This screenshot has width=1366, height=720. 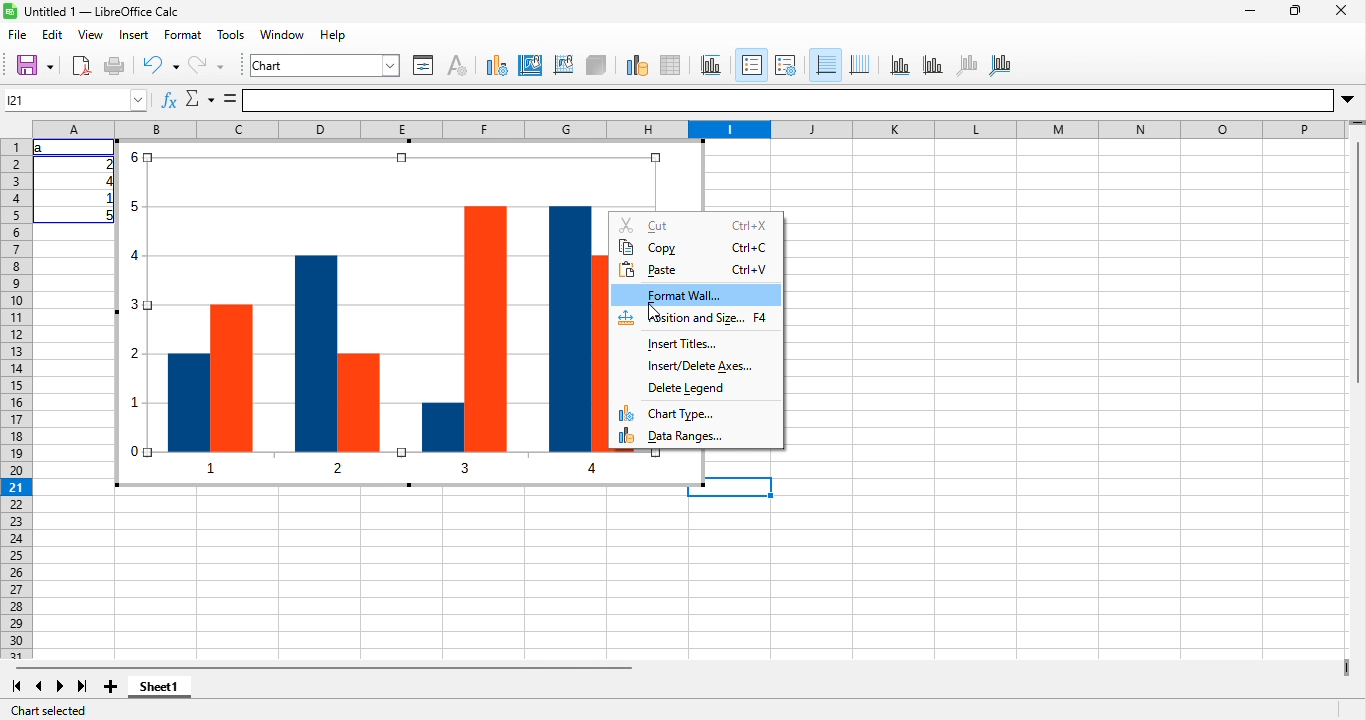 What do you see at coordinates (637, 67) in the screenshot?
I see `data range` at bounding box center [637, 67].